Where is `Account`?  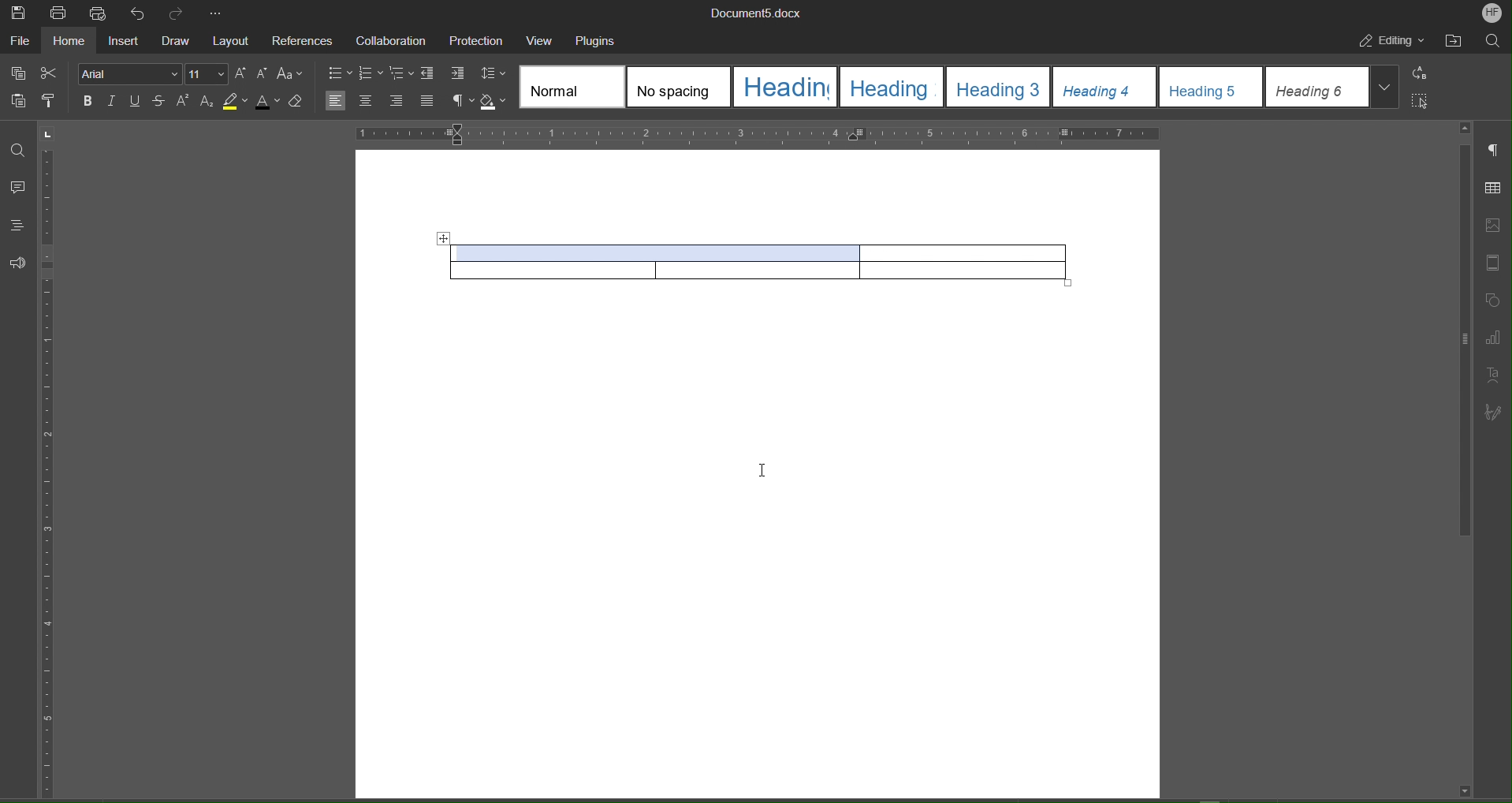 Account is located at coordinates (1490, 13).